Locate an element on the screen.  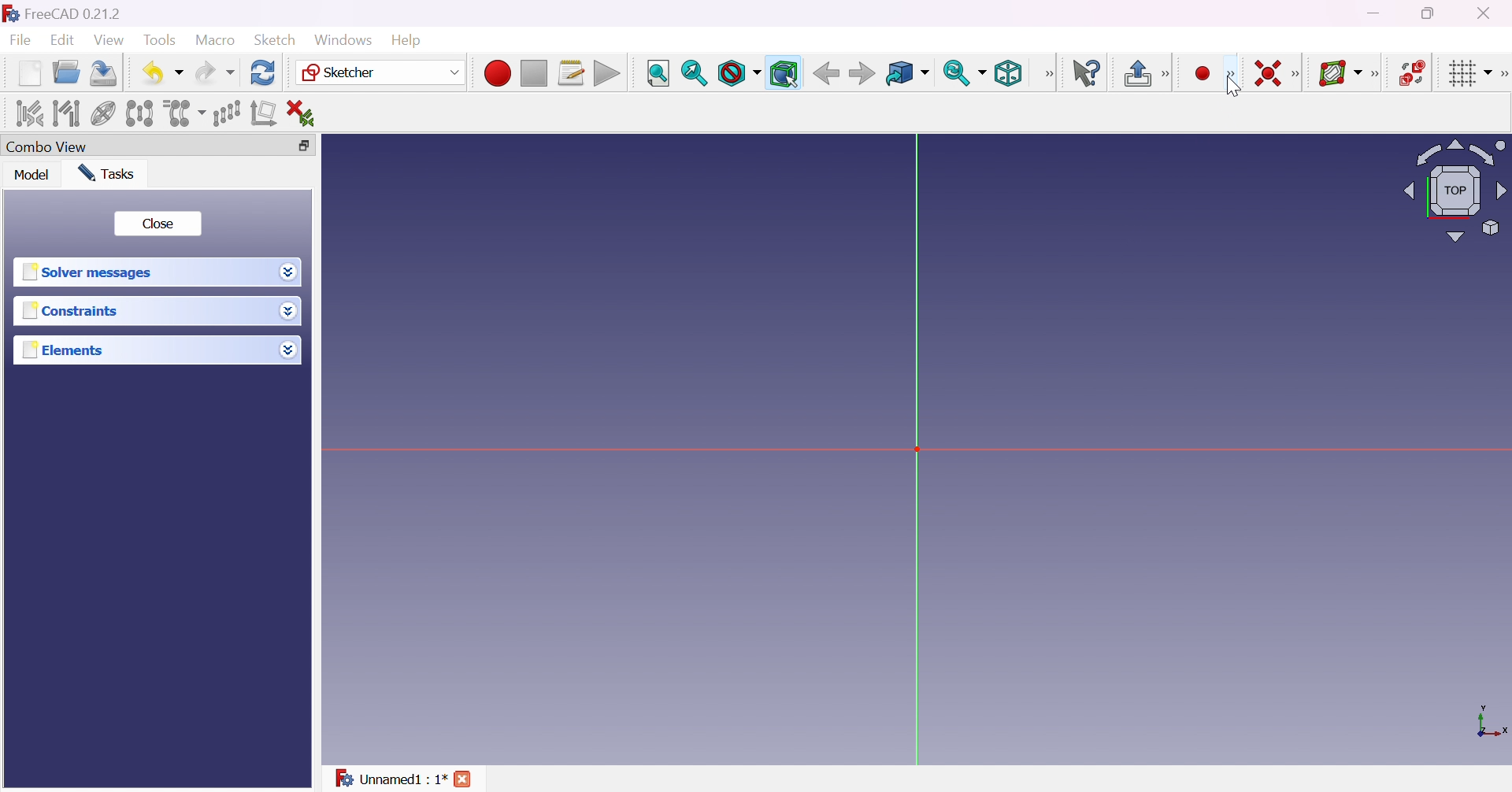
Drop is located at coordinates (291, 313).